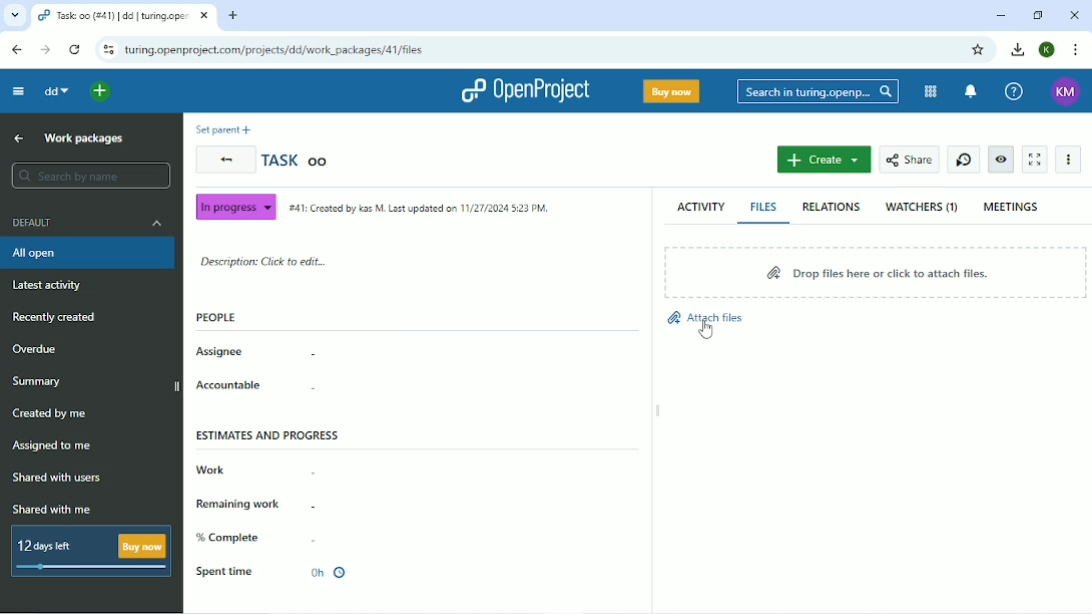  Describe the element at coordinates (276, 49) in the screenshot. I see `Site` at that location.